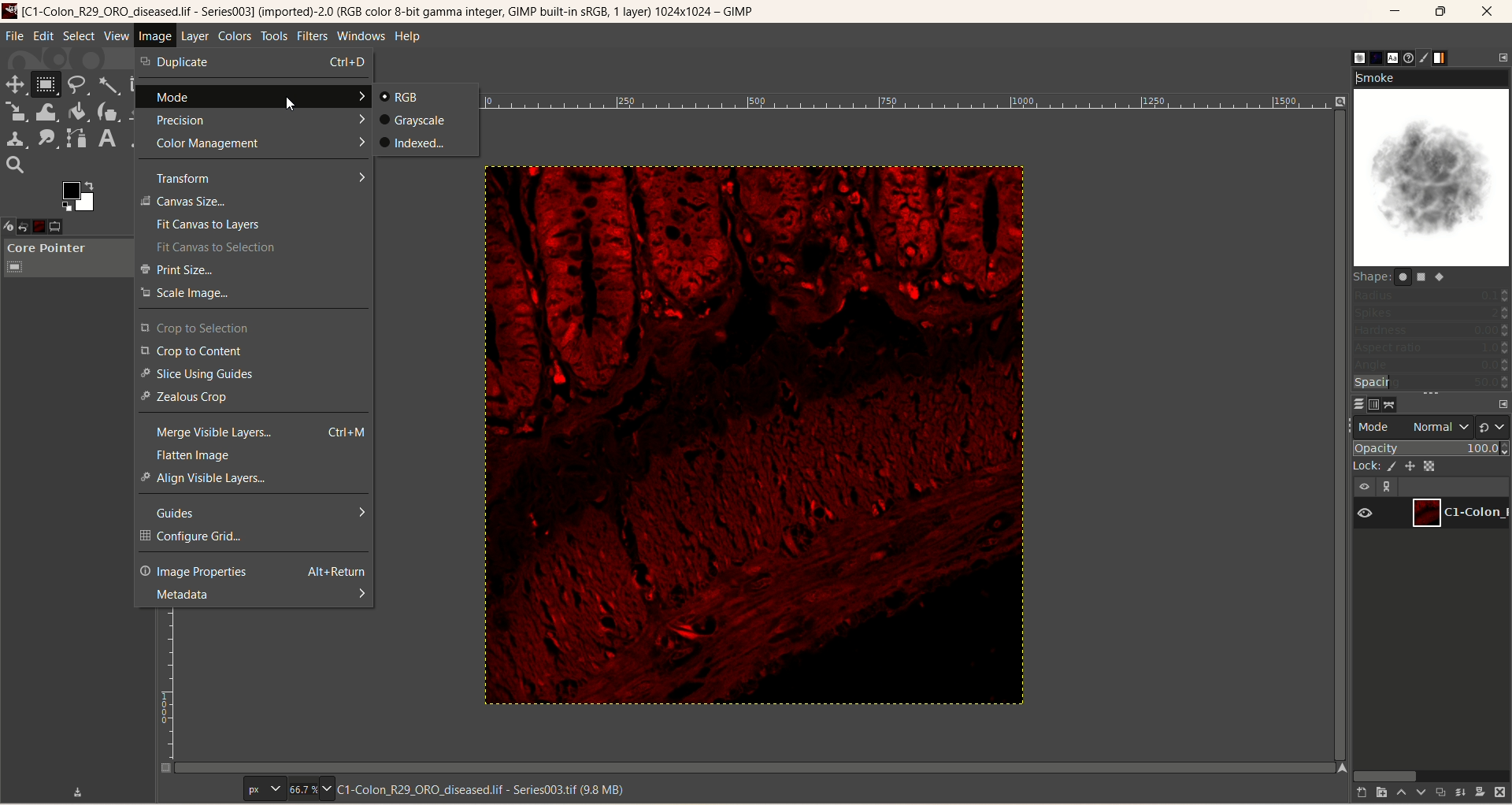 Image resolution: width=1512 pixels, height=805 pixels. Describe the element at coordinates (1377, 58) in the screenshot. I see `pattern` at that location.